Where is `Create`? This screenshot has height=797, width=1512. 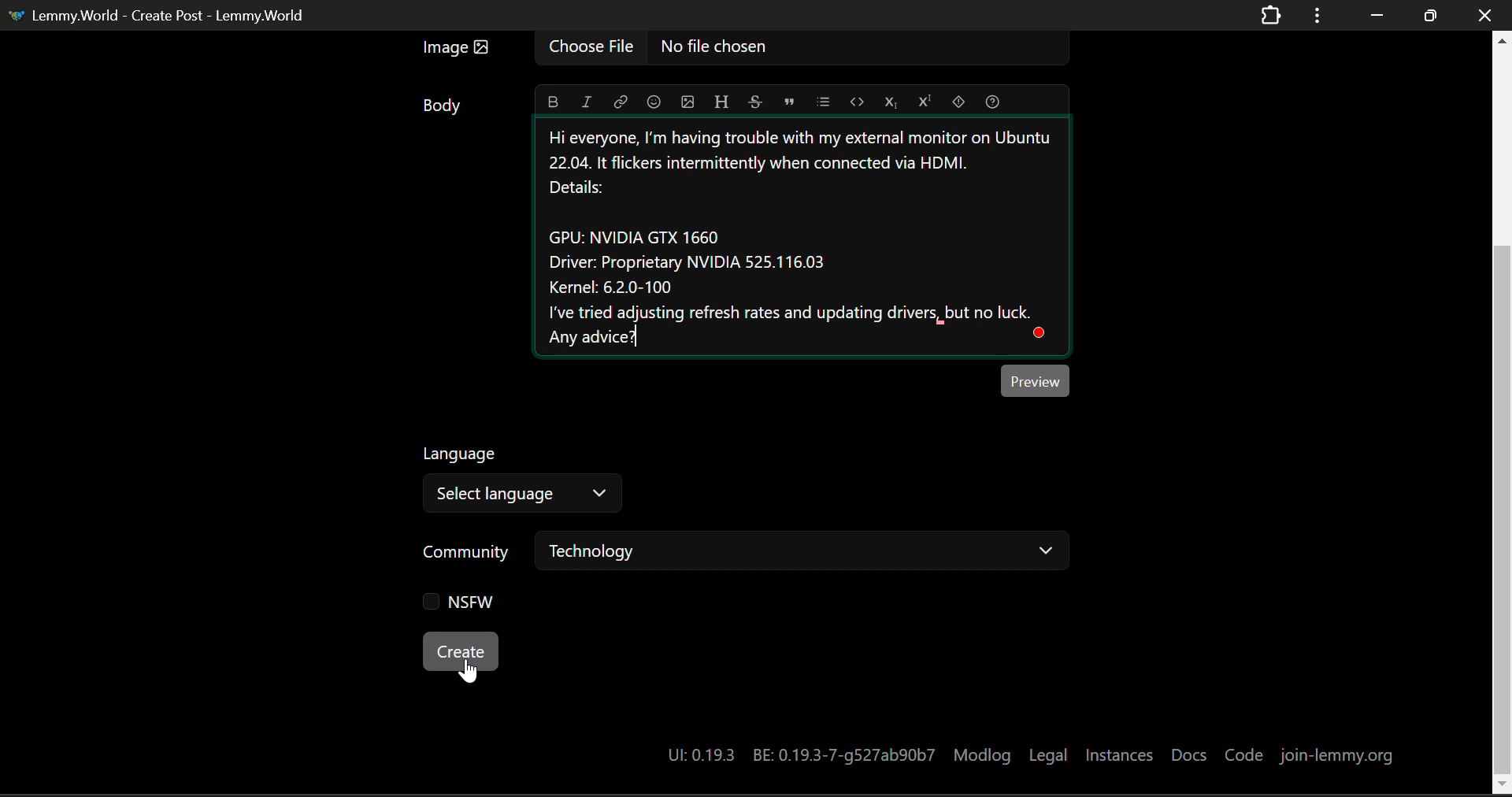 Create is located at coordinates (462, 652).